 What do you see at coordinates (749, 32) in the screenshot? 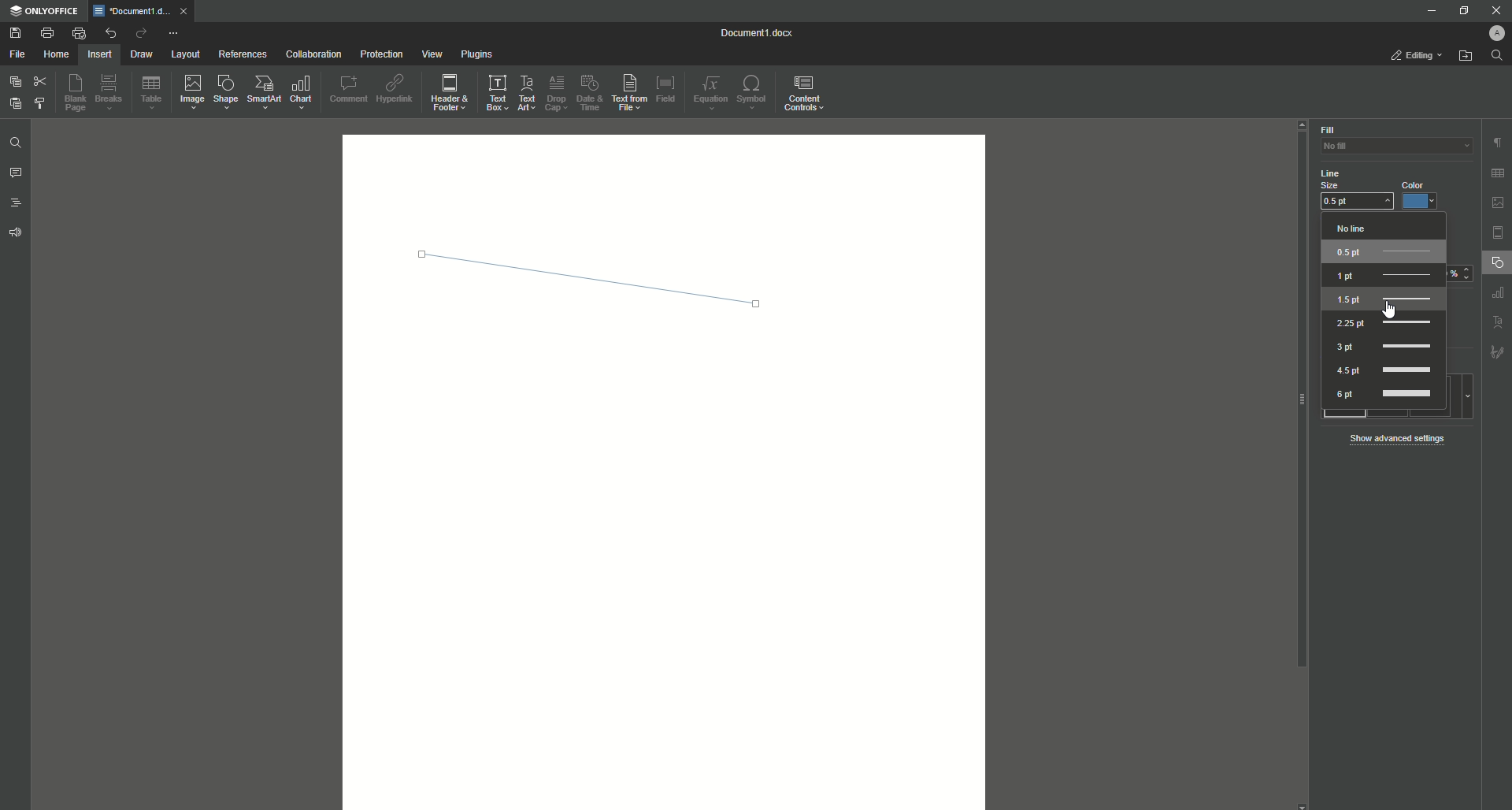
I see `Document1` at bounding box center [749, 32].